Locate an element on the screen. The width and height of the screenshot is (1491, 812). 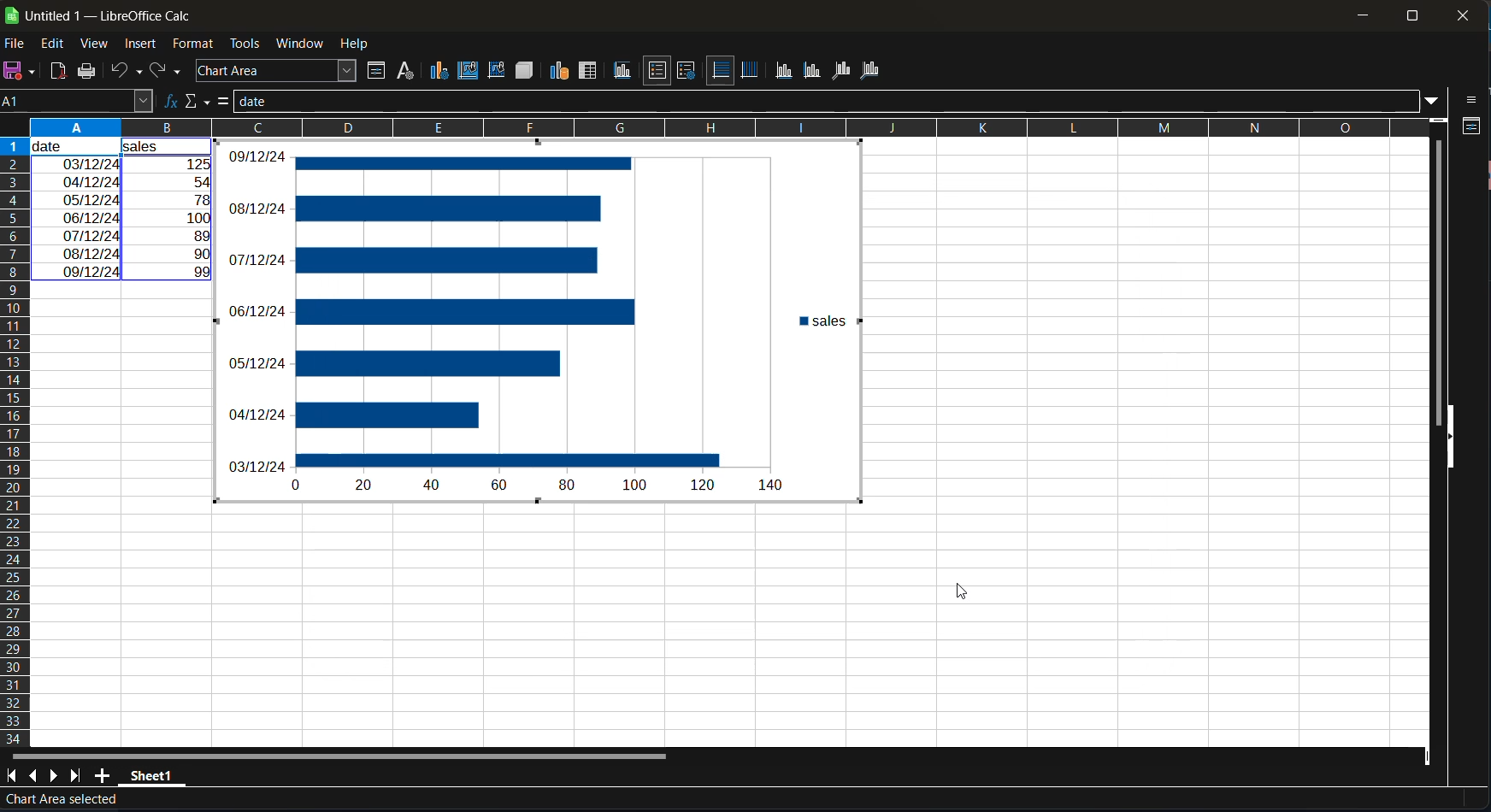
view is located at coordinates (99, 44).